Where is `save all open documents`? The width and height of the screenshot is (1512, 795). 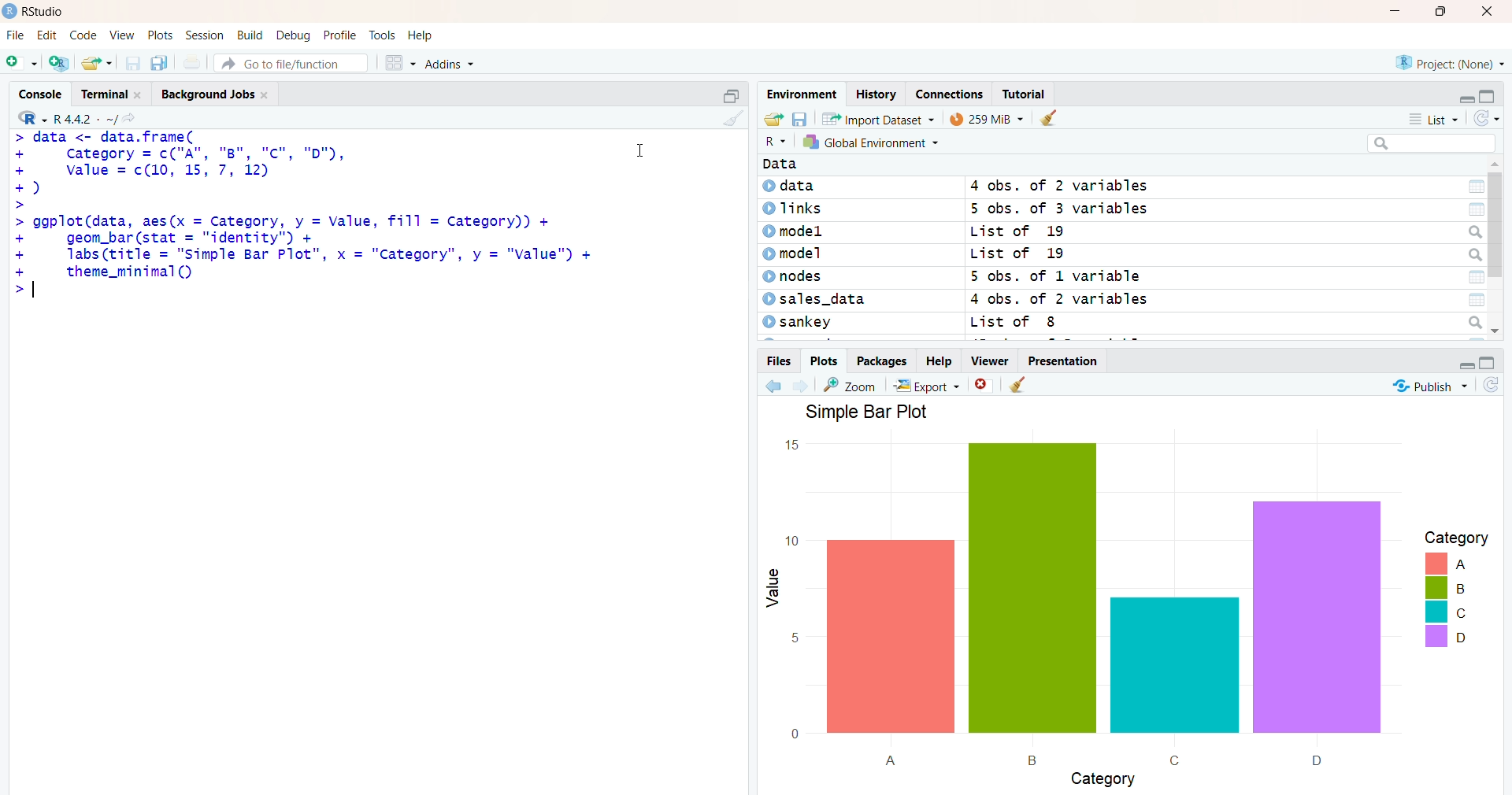
save all open documents is located at coordinates (158, 63).